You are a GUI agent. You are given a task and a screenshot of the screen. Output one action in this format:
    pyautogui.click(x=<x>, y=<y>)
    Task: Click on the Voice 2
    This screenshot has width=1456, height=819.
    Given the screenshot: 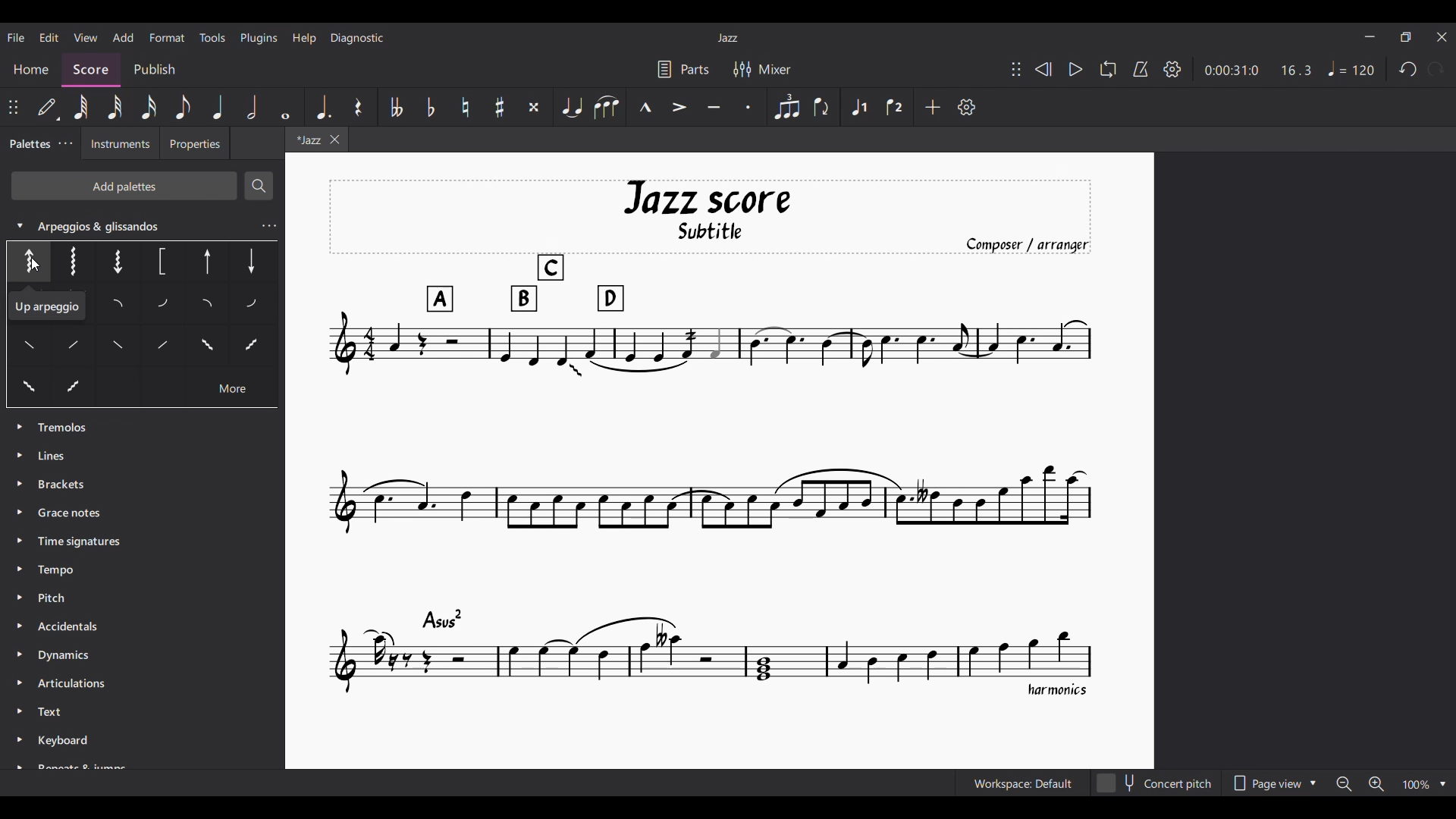 What is the action you would take?
    pyautogui.click(x=895, y=106)
    